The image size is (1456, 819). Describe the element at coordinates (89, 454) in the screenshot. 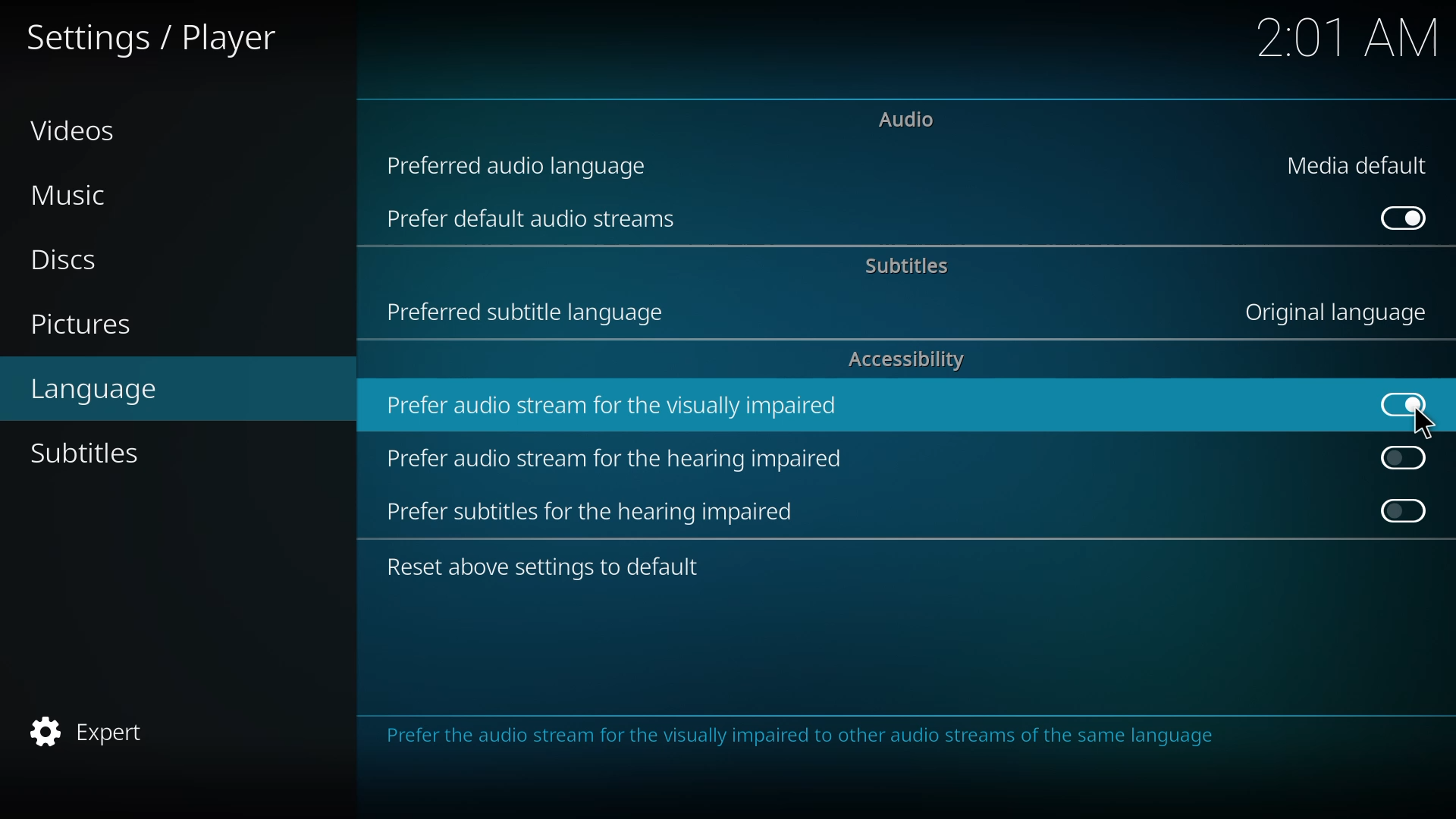

I see `subtitles` at that location.